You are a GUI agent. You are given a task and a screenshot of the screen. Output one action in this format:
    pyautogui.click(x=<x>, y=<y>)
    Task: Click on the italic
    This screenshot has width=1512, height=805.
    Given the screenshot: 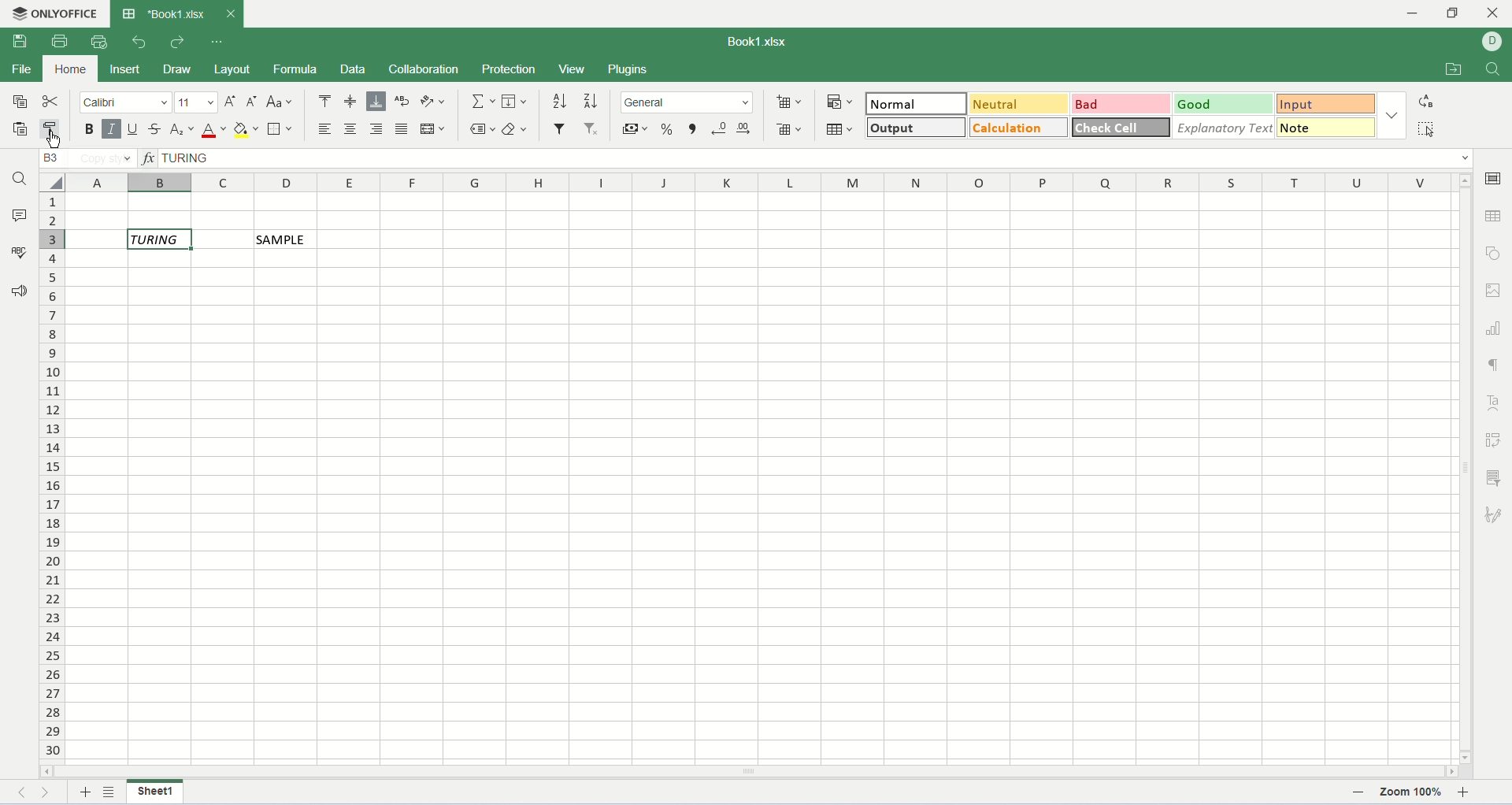 What is the action you would take?
    pyautogui.click(x=112, y=130)
    